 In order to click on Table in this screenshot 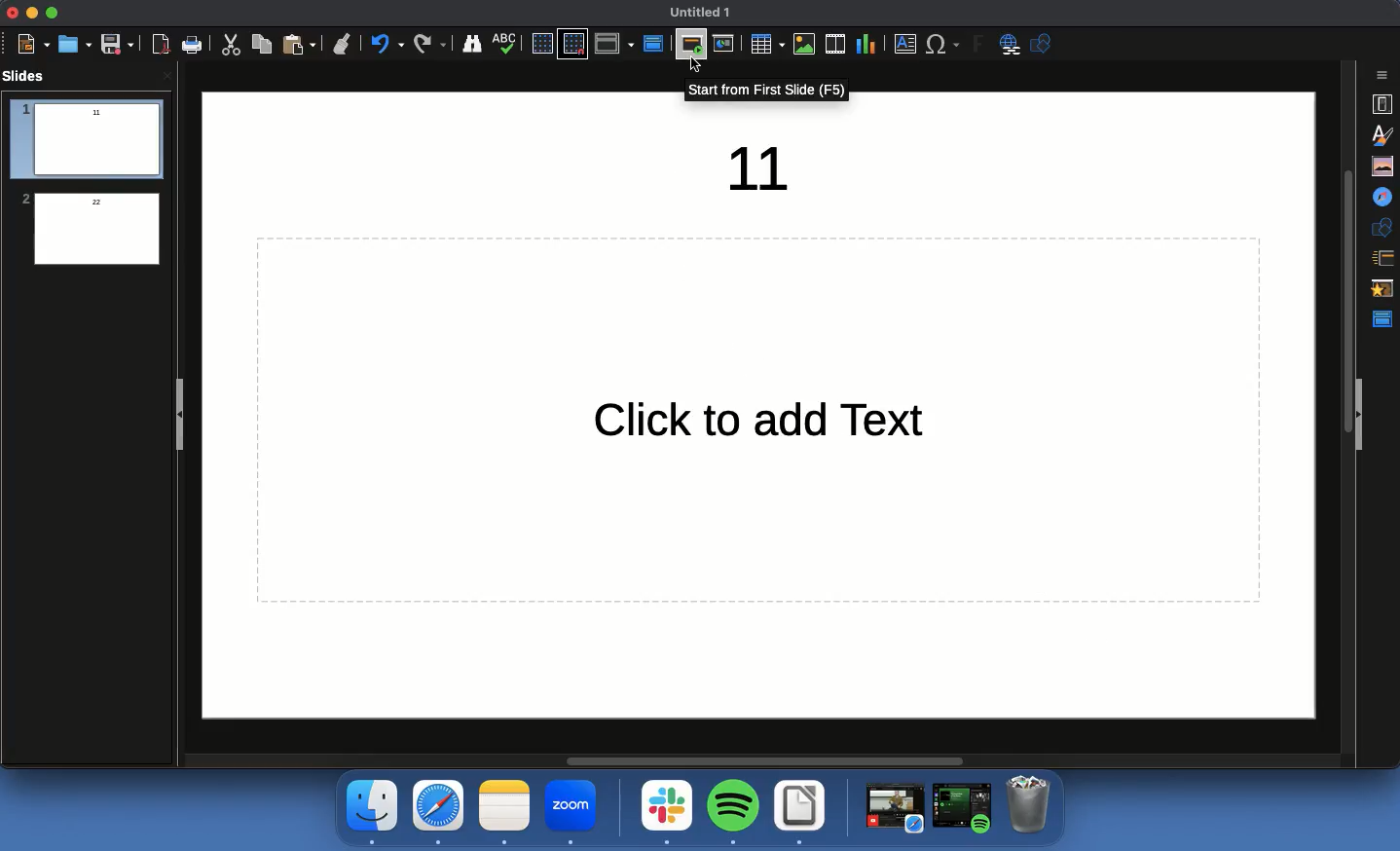, I will do `click(766, 44)`.